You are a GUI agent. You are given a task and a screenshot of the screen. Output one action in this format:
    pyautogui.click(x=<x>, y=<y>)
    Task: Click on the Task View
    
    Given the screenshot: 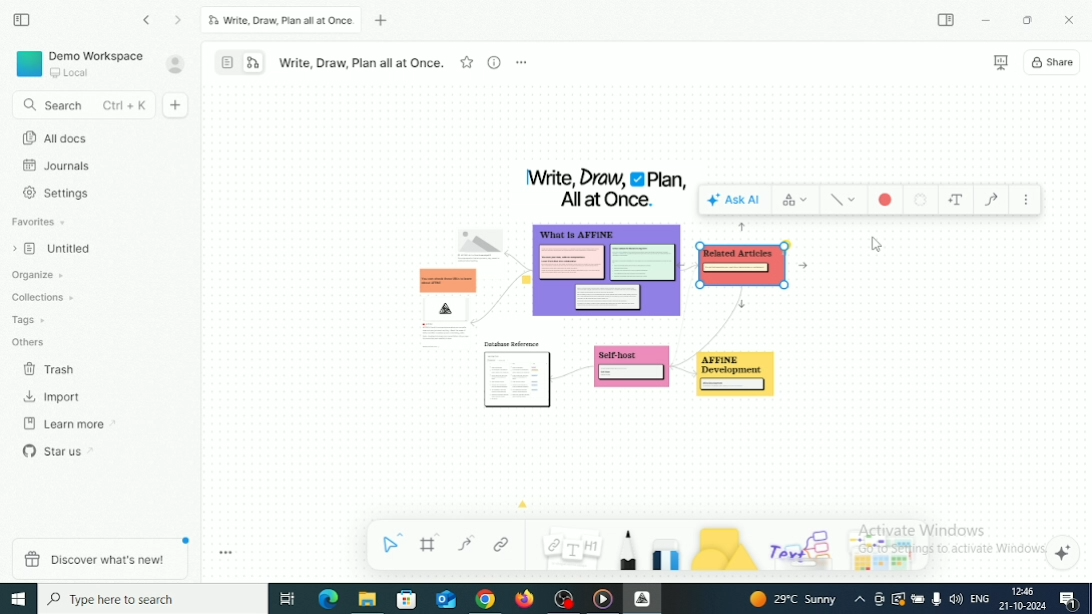 What is the action you would take?
    pyautogui.click(x=287, y=599)
    